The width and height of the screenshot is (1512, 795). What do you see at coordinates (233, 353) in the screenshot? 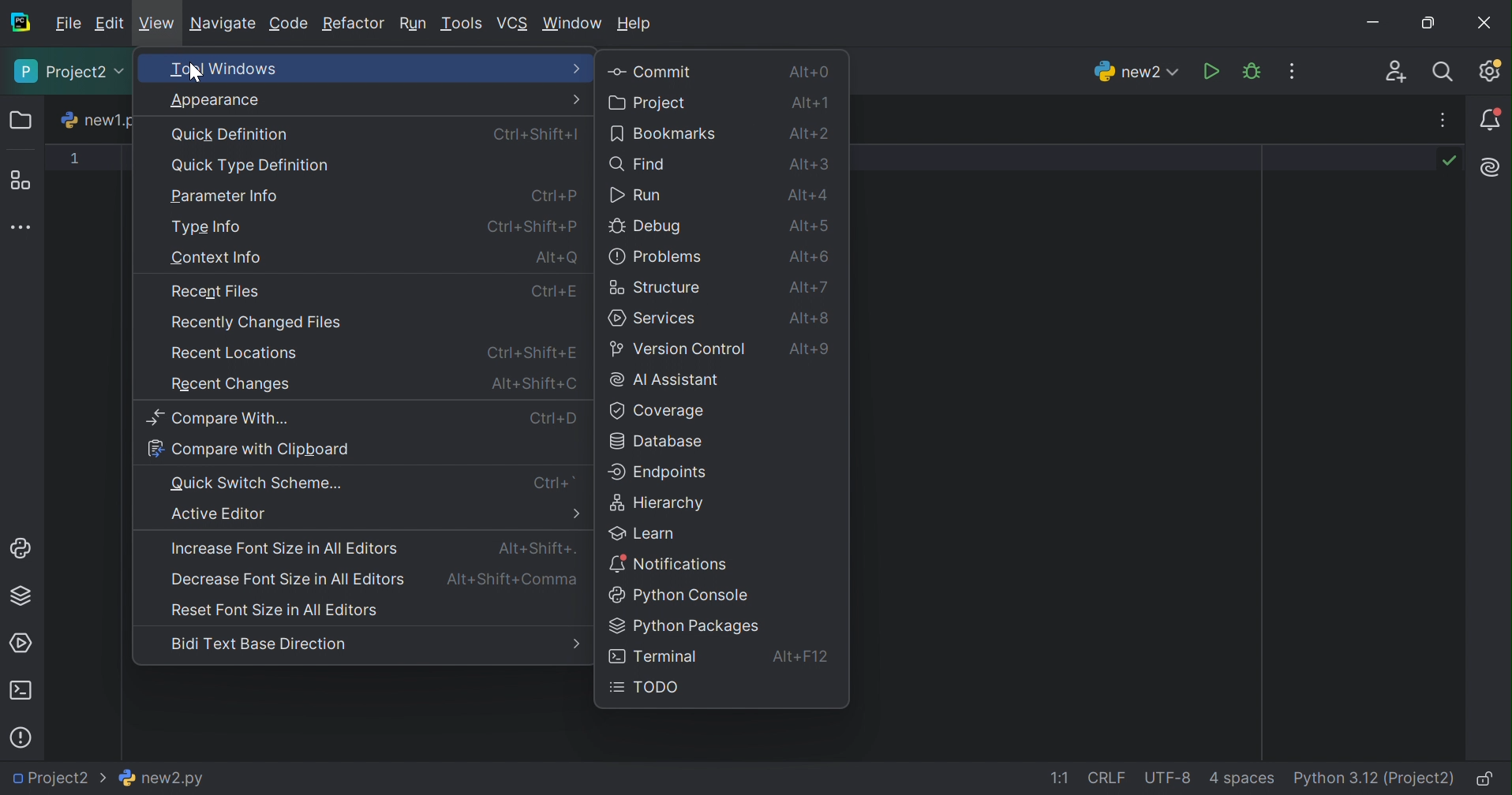
I see `Recent locations` at bounding box center [233, 353].